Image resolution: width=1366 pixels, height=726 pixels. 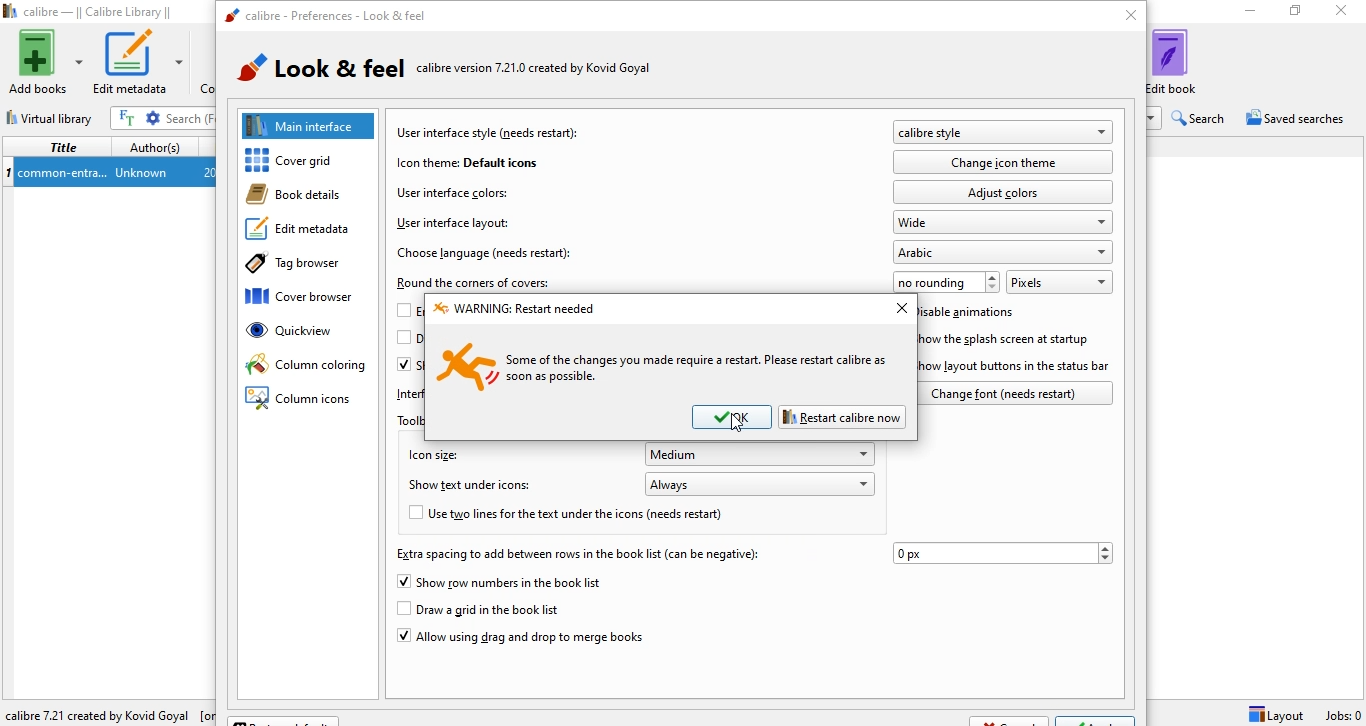 What do you see at coordinates (190, 118) in the screenshot?
I see `Search bar` at bounding box center [190, 118].